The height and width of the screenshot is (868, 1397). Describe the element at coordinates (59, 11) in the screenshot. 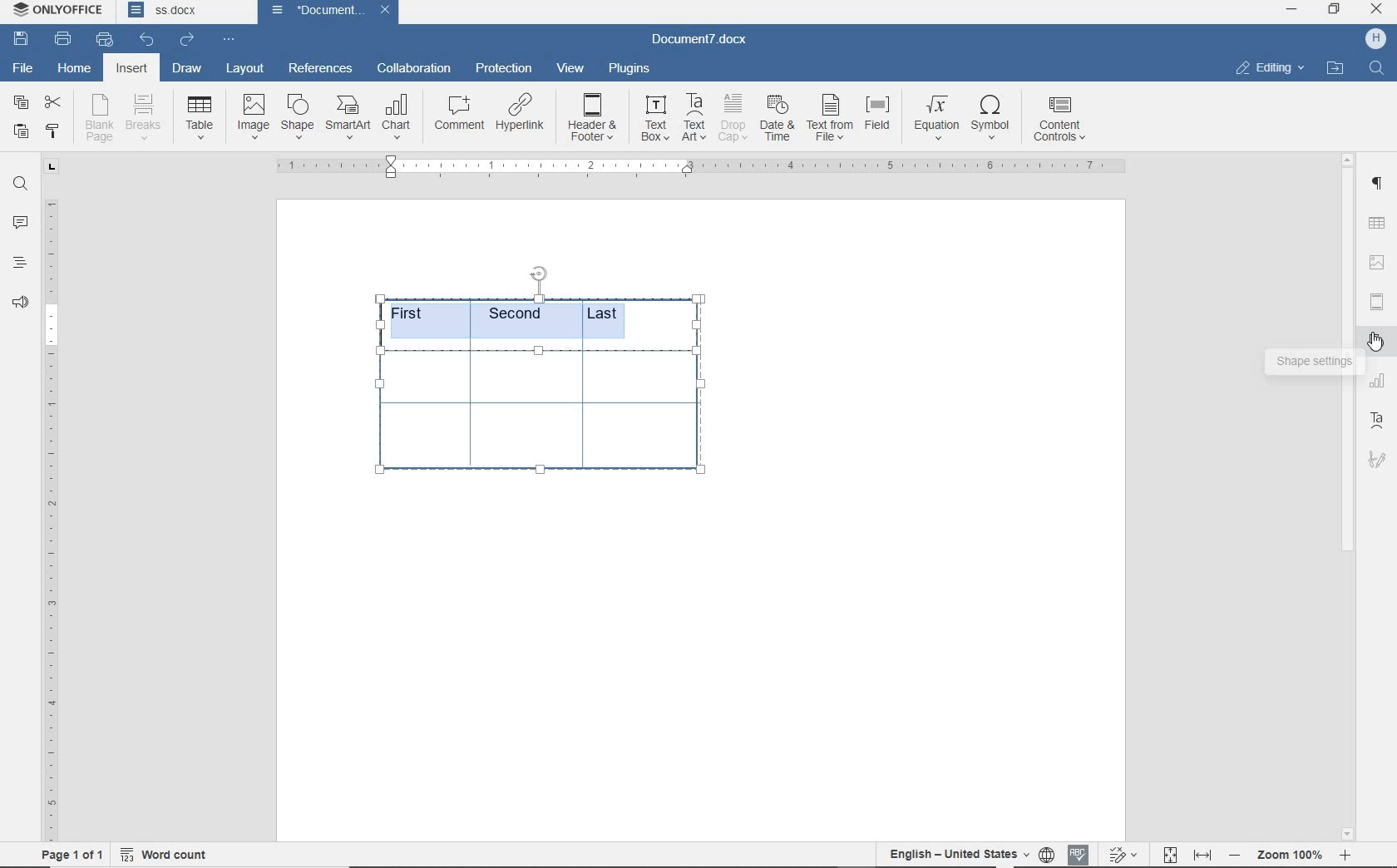

I see `system name` at that location.